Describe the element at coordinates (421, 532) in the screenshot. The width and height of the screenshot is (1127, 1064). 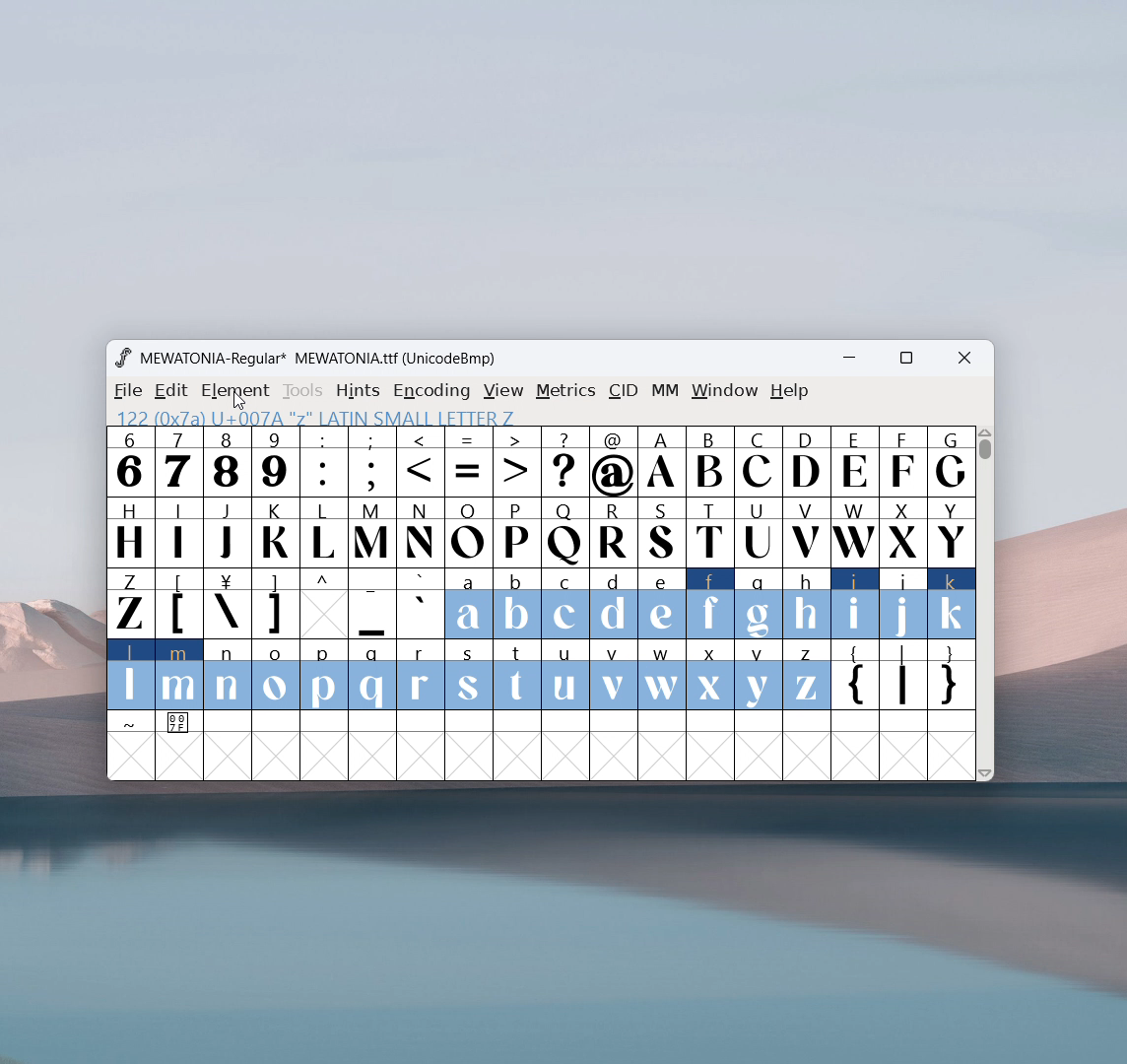
I see `N` at that location.